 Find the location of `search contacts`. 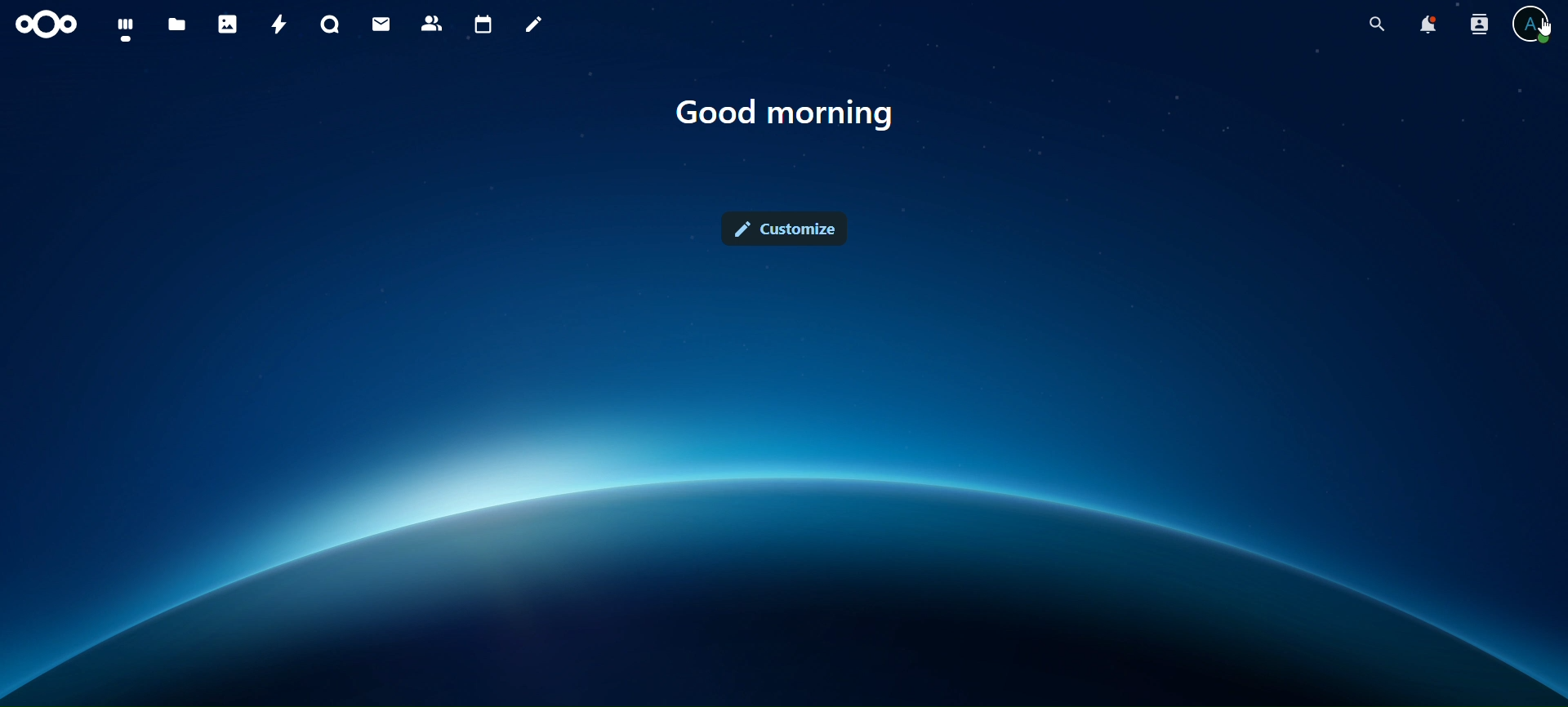

search contacts is located at coordinates (1480, 23).